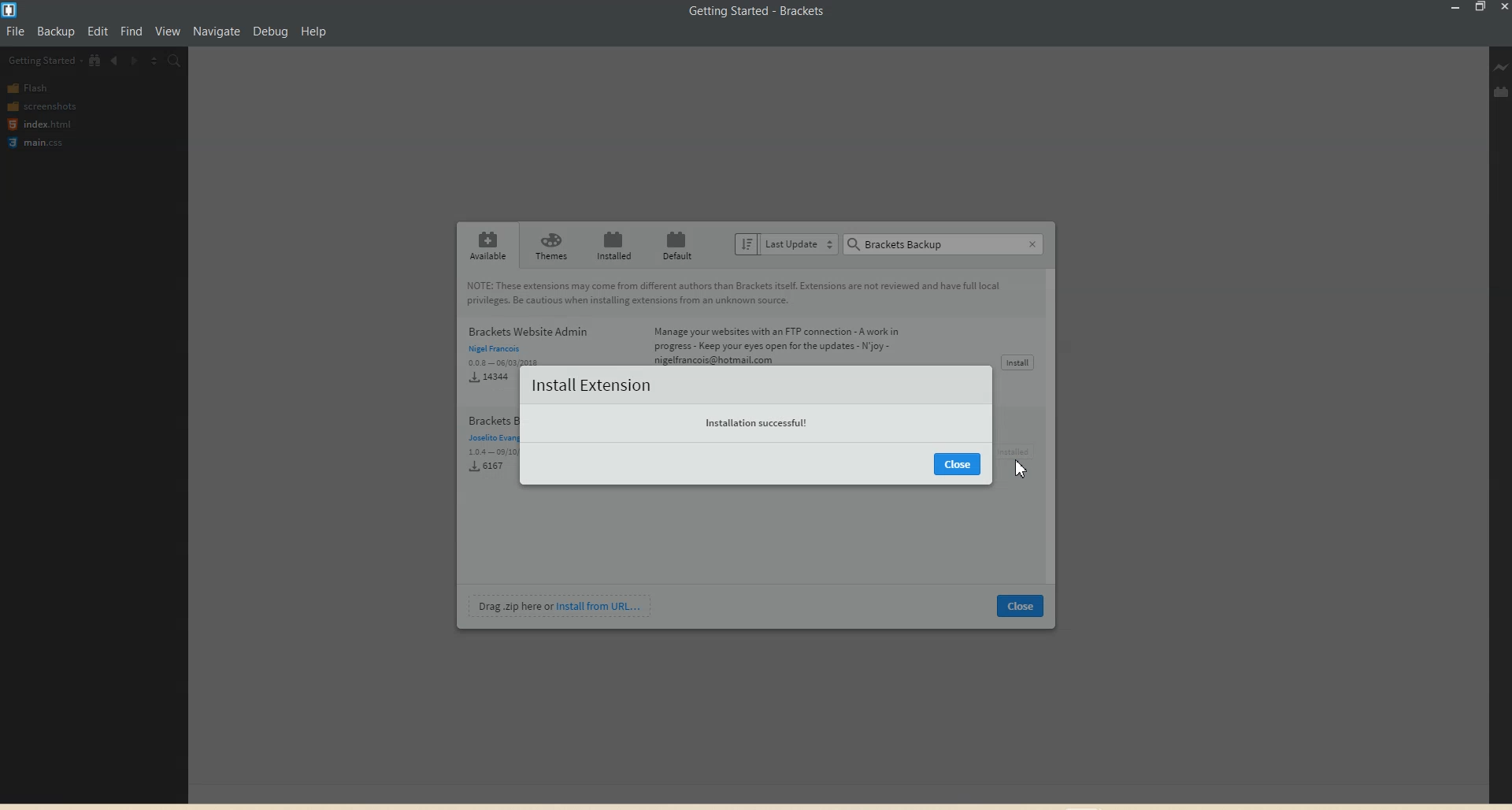  What do you see at coordinates (101, 27) in the screenshot?
I see `Edit` at bounding box center [101, 27].